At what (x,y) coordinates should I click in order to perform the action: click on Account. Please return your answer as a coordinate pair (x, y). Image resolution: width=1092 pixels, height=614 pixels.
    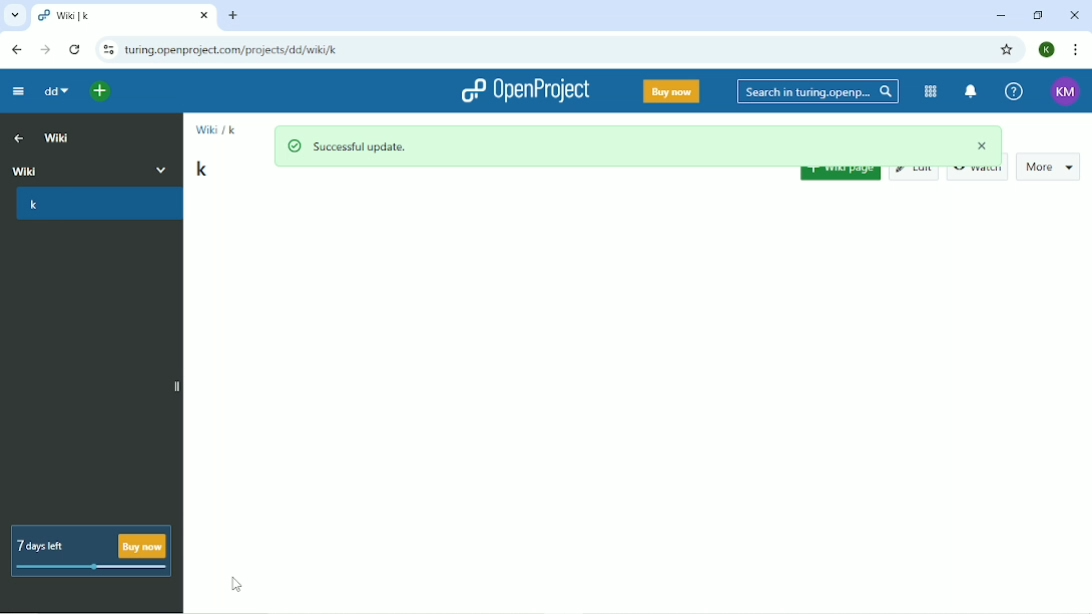
    Looking at the image, I should click on (1047, 49).